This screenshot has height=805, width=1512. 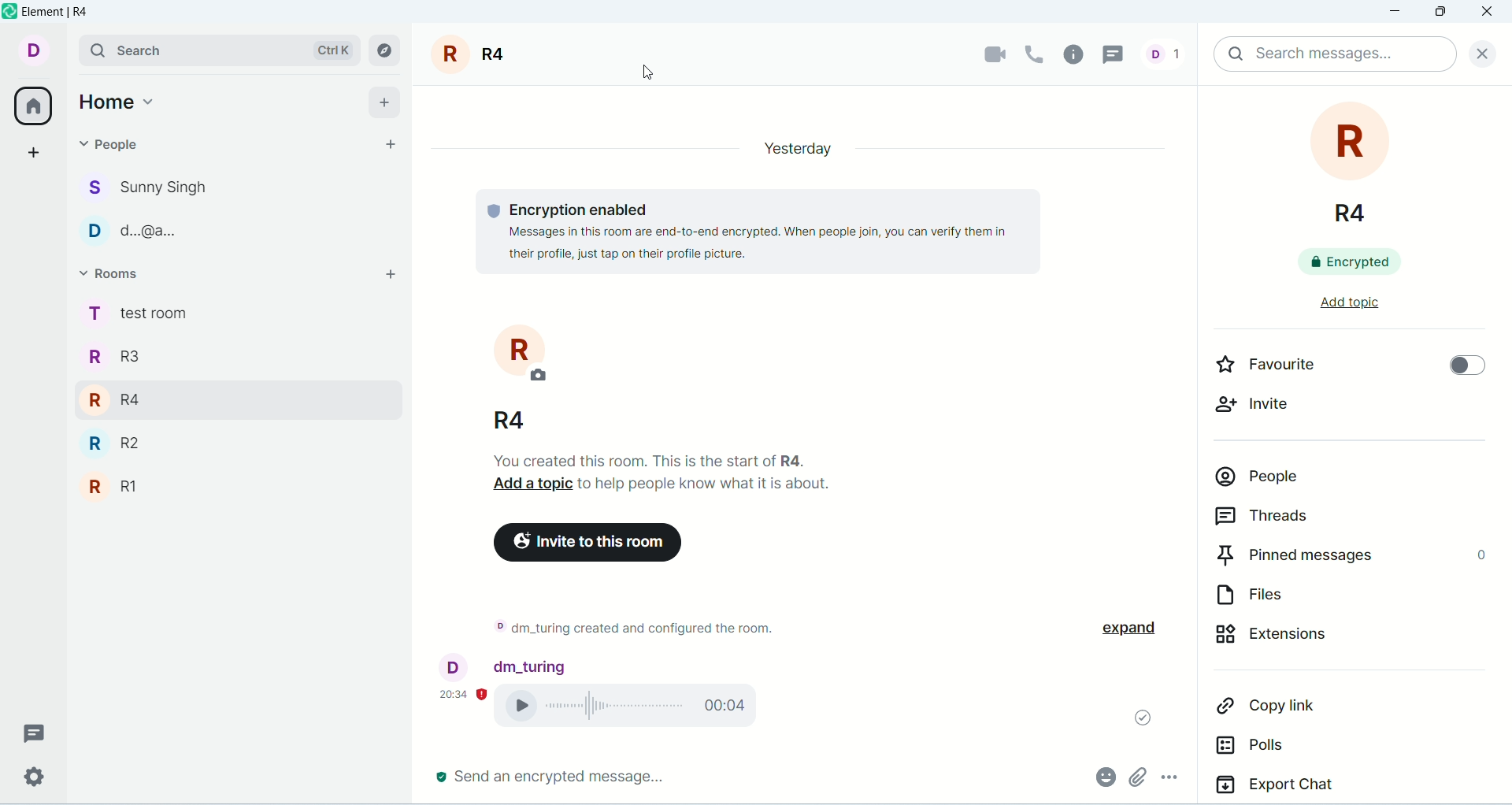 I want to click on people, so click(x=1169, y=53).